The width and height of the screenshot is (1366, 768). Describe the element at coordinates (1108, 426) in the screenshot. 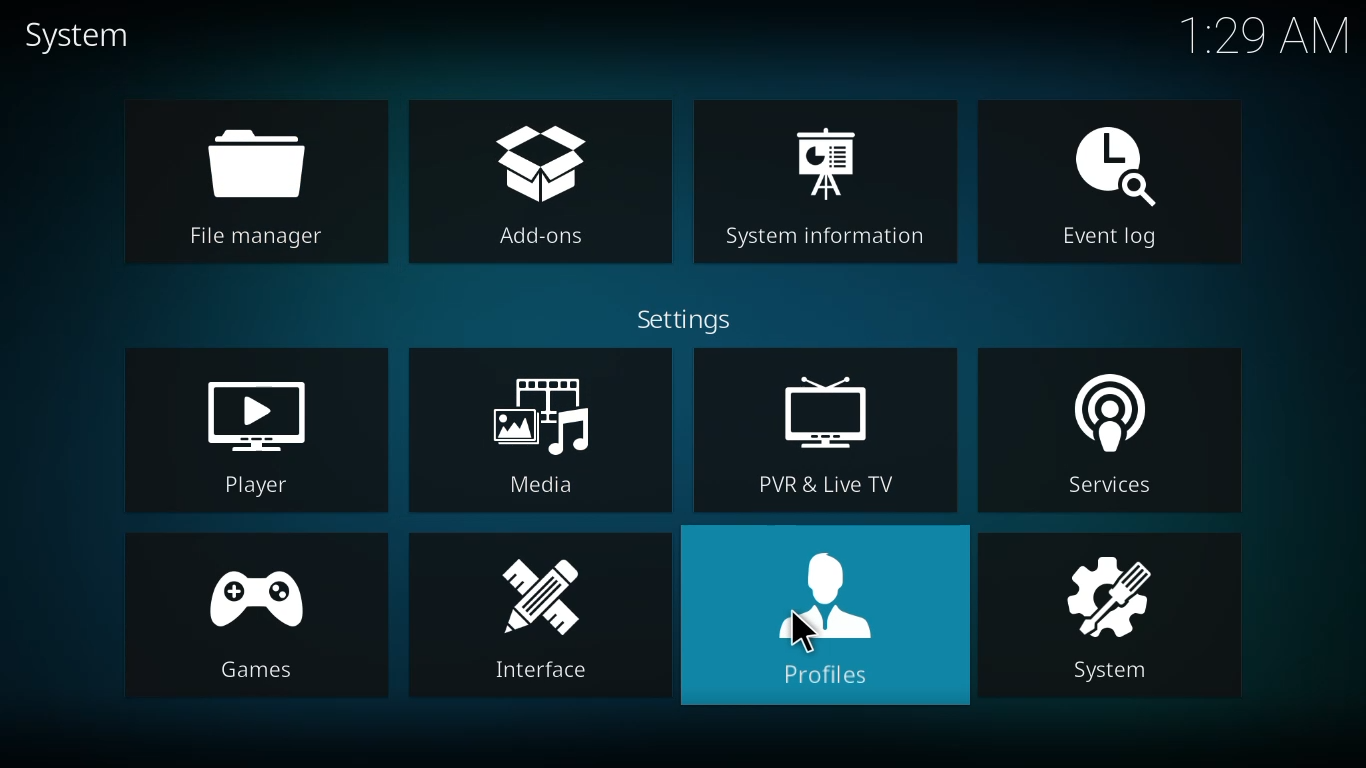

I see `services` at that location.